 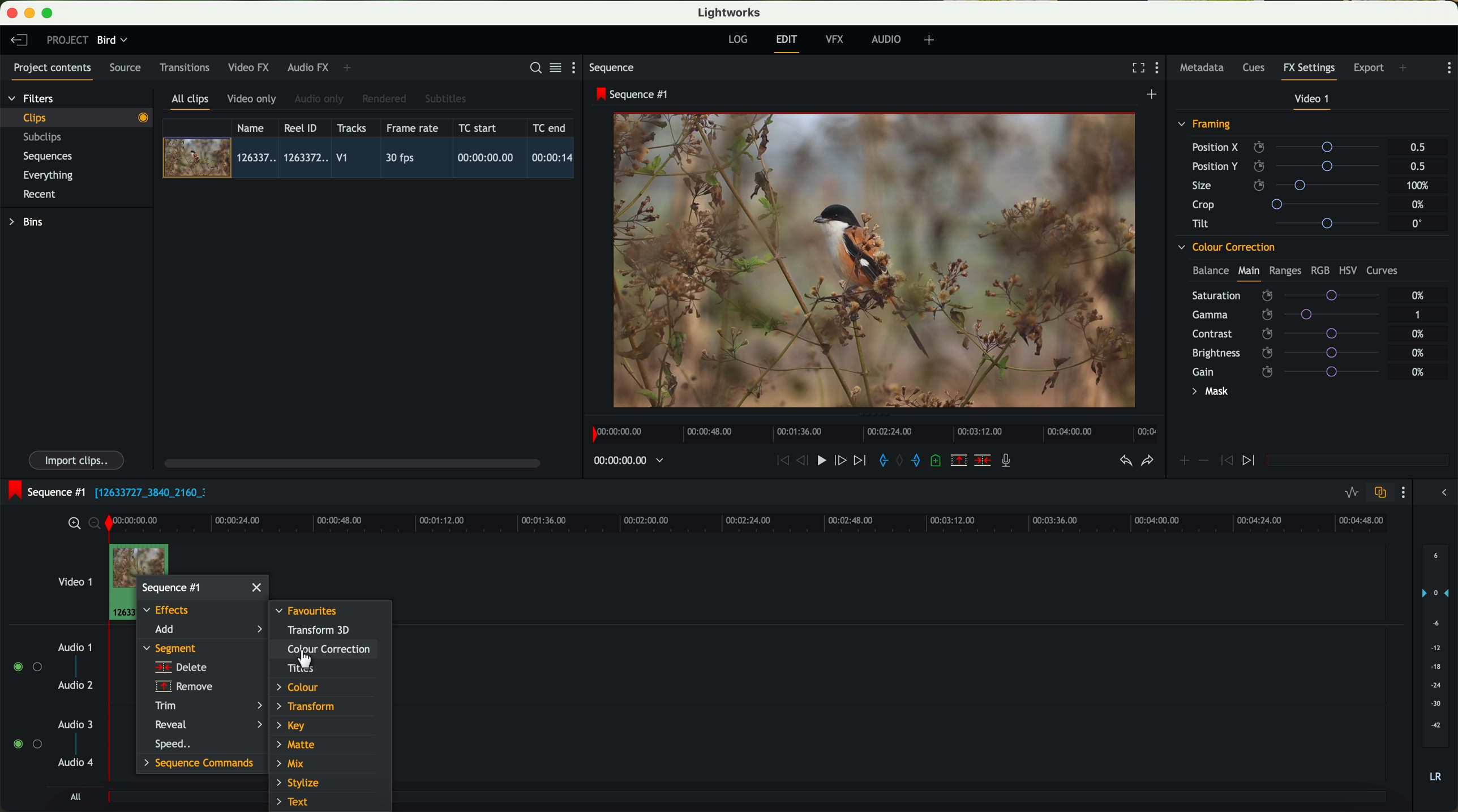 What do you see at coordinates (1319, 269) in the screenshot?
I see `RGB` at bounding box center [1319, 269].